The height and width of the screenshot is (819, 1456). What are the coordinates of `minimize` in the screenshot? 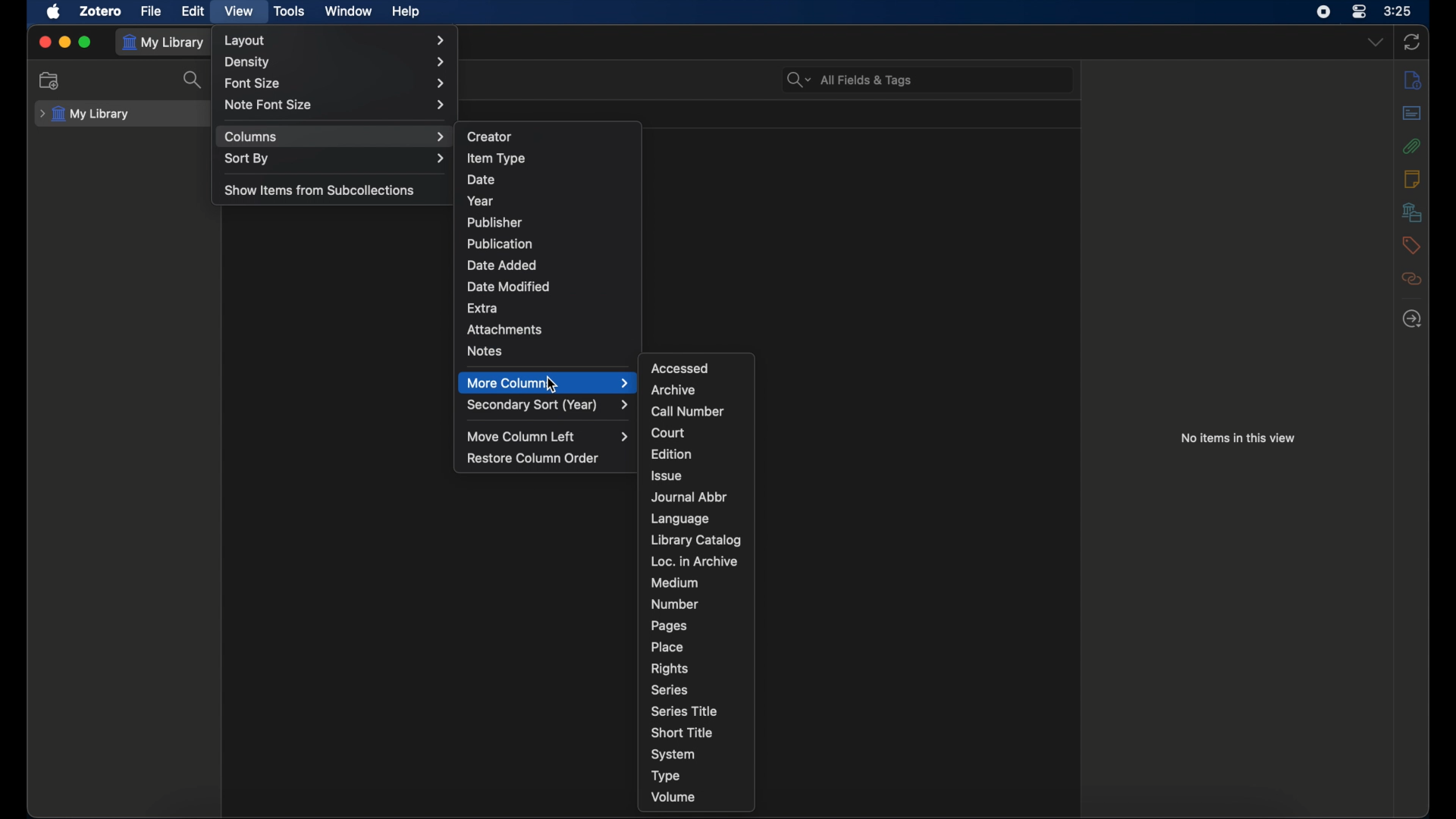 It's located at (65, 42).